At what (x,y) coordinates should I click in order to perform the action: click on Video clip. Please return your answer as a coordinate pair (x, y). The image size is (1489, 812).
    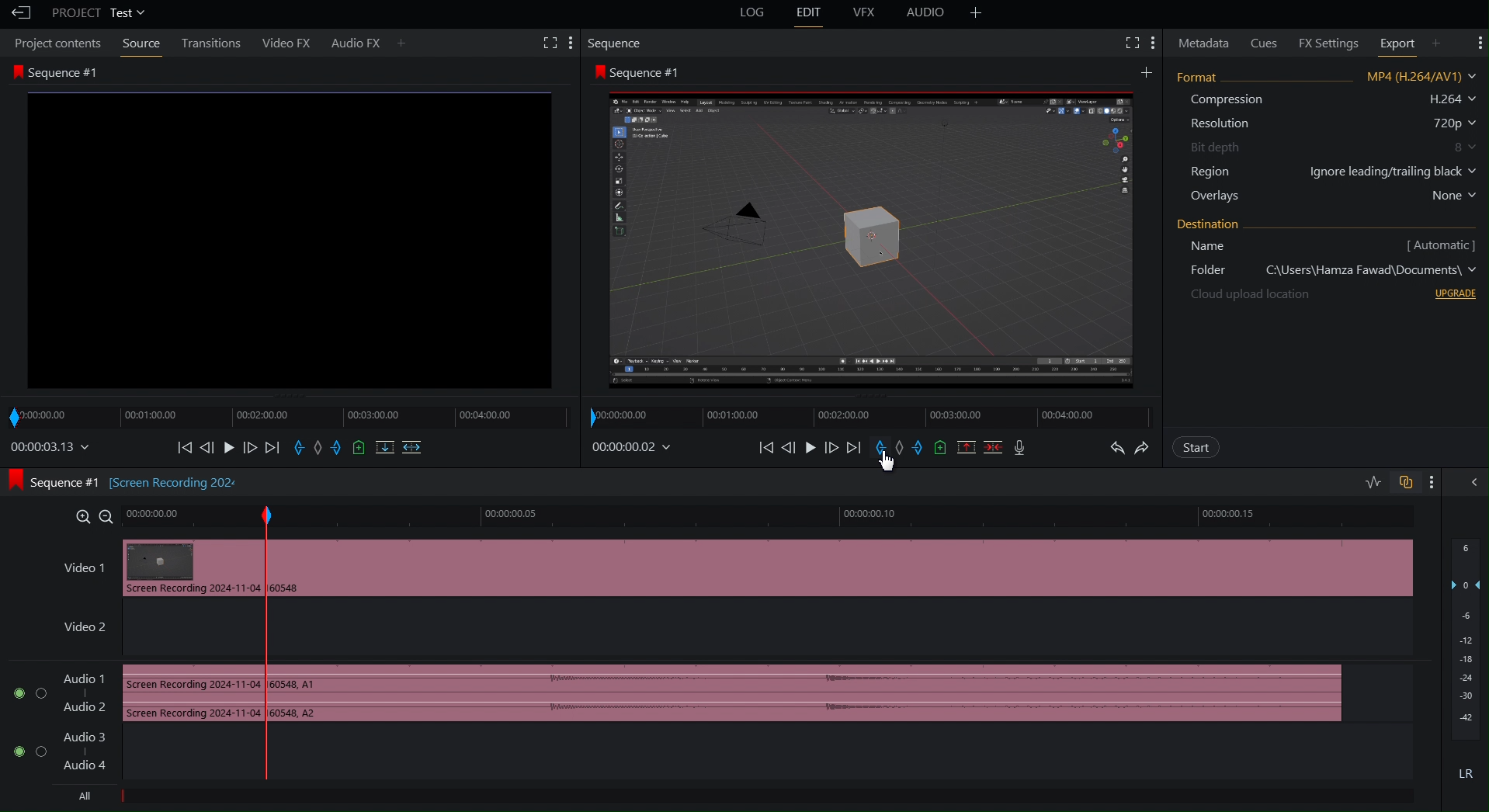
    Looking at the image, I should click on (182, 571).